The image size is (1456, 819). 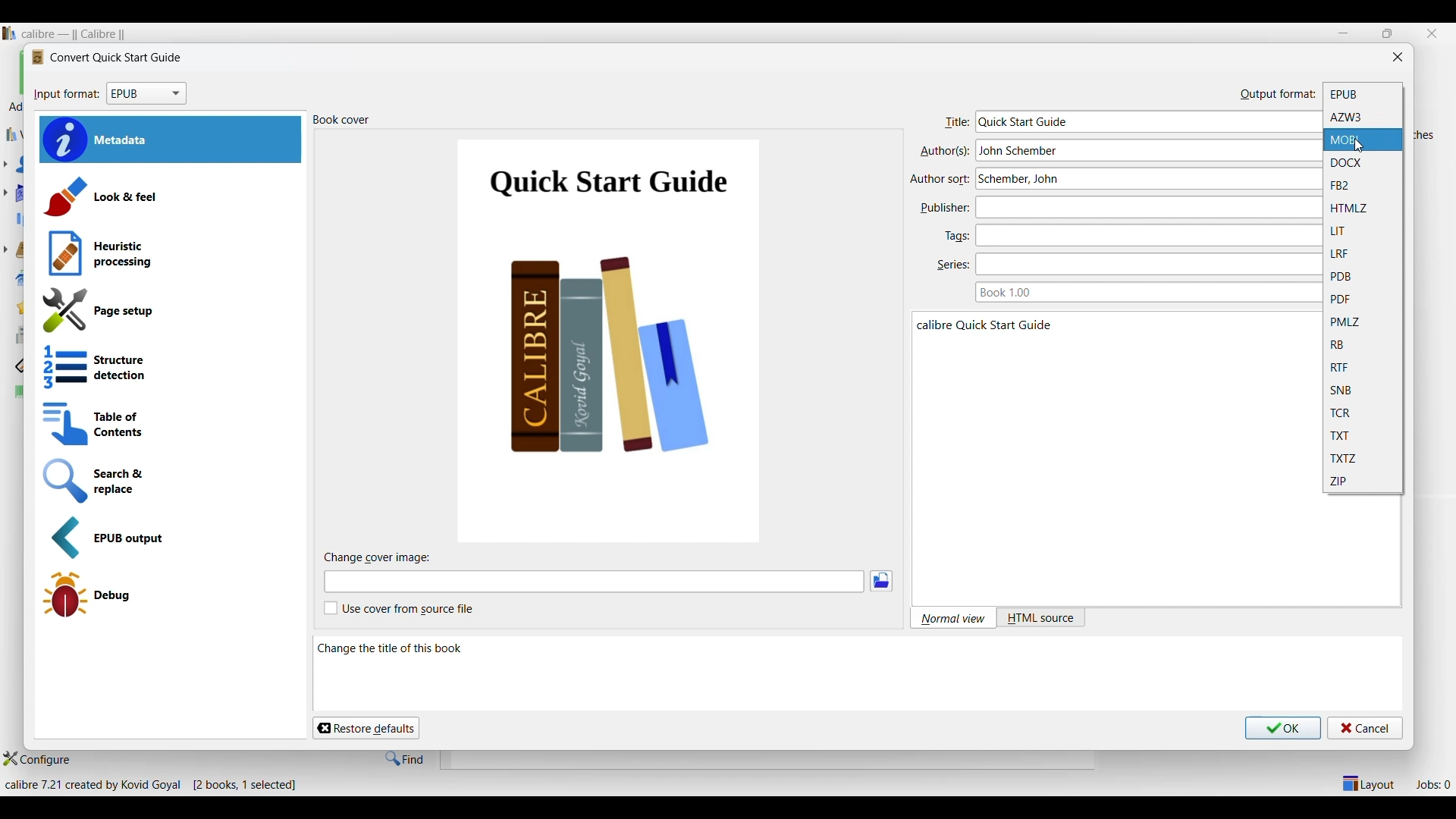 What do you see at coordinates (1363, 162) in the screenshot?
I see `DOCX` at bounding box center [1363, 162].